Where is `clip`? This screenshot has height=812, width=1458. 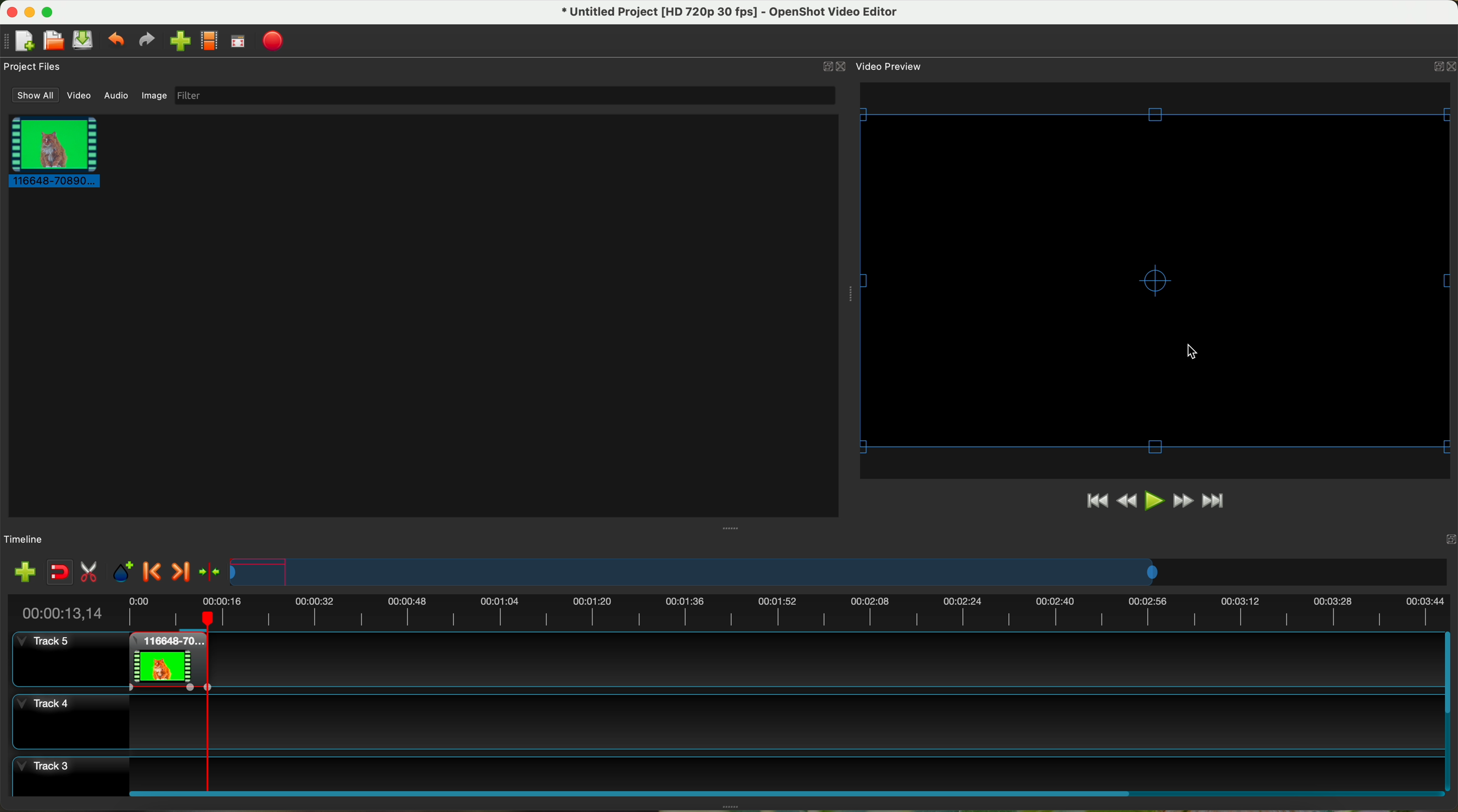 clip is located at coordinates (165, 657).